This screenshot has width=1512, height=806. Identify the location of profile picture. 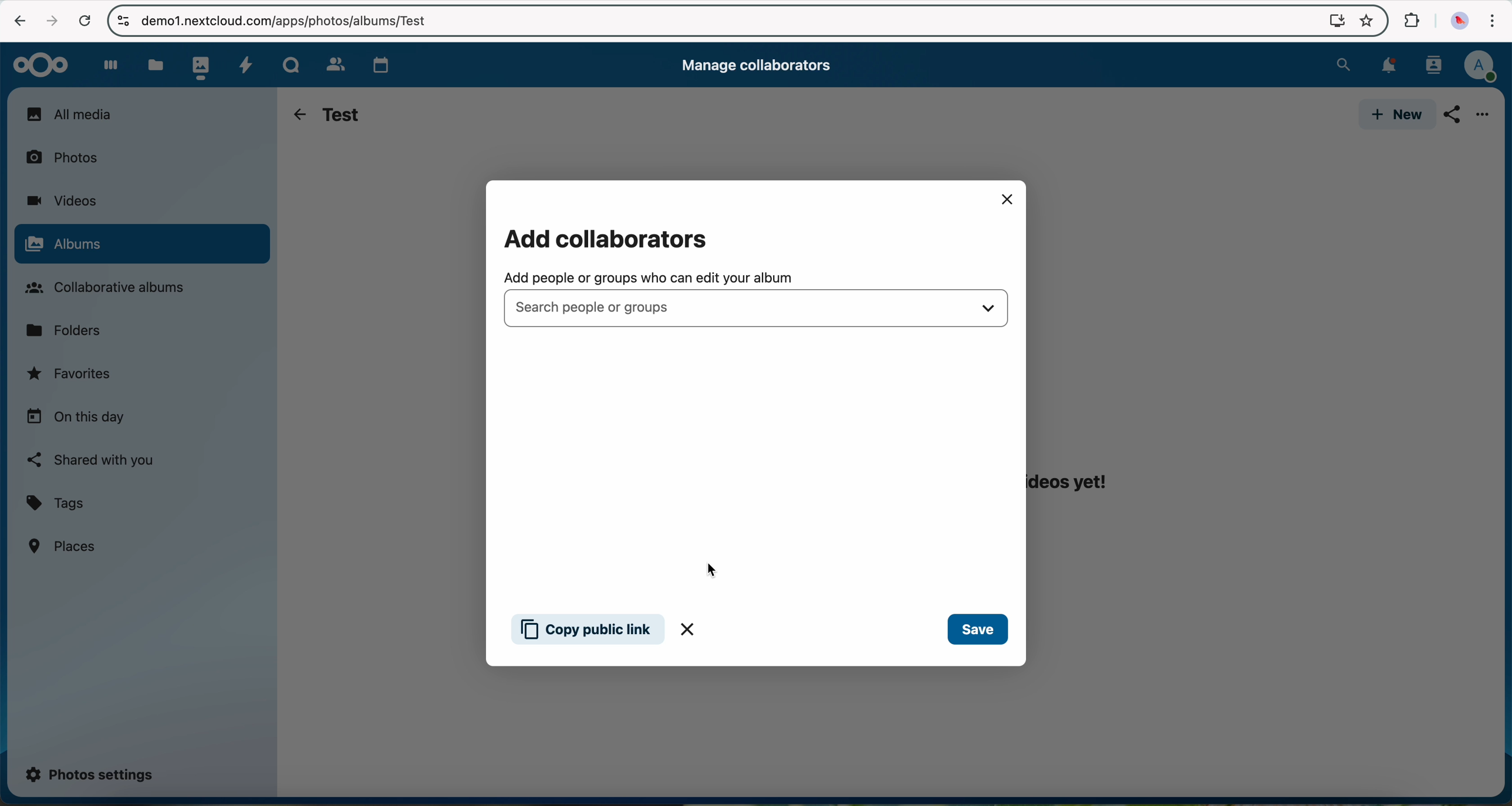
(1457, 22).